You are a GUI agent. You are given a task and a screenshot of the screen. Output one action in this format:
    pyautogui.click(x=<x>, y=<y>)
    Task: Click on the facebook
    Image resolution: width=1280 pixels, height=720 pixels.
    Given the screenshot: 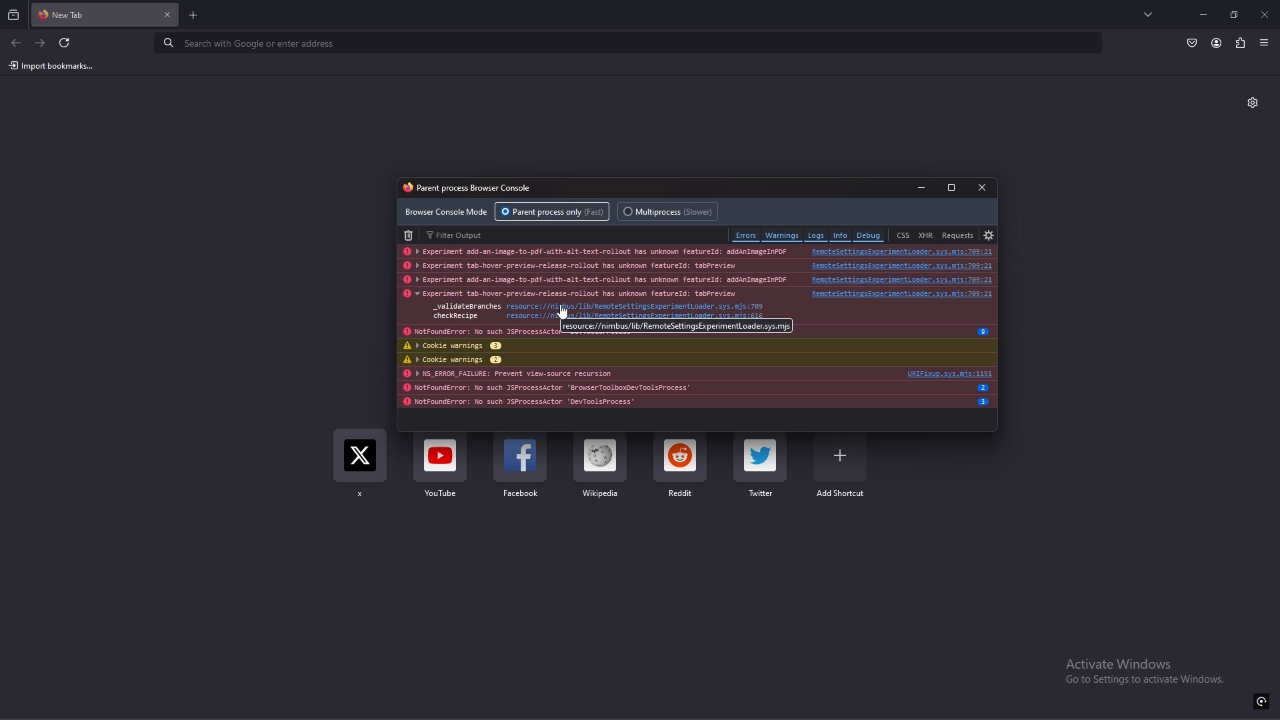 What is the action you would take?
    pyautogui.click(x=521, y=469)
    